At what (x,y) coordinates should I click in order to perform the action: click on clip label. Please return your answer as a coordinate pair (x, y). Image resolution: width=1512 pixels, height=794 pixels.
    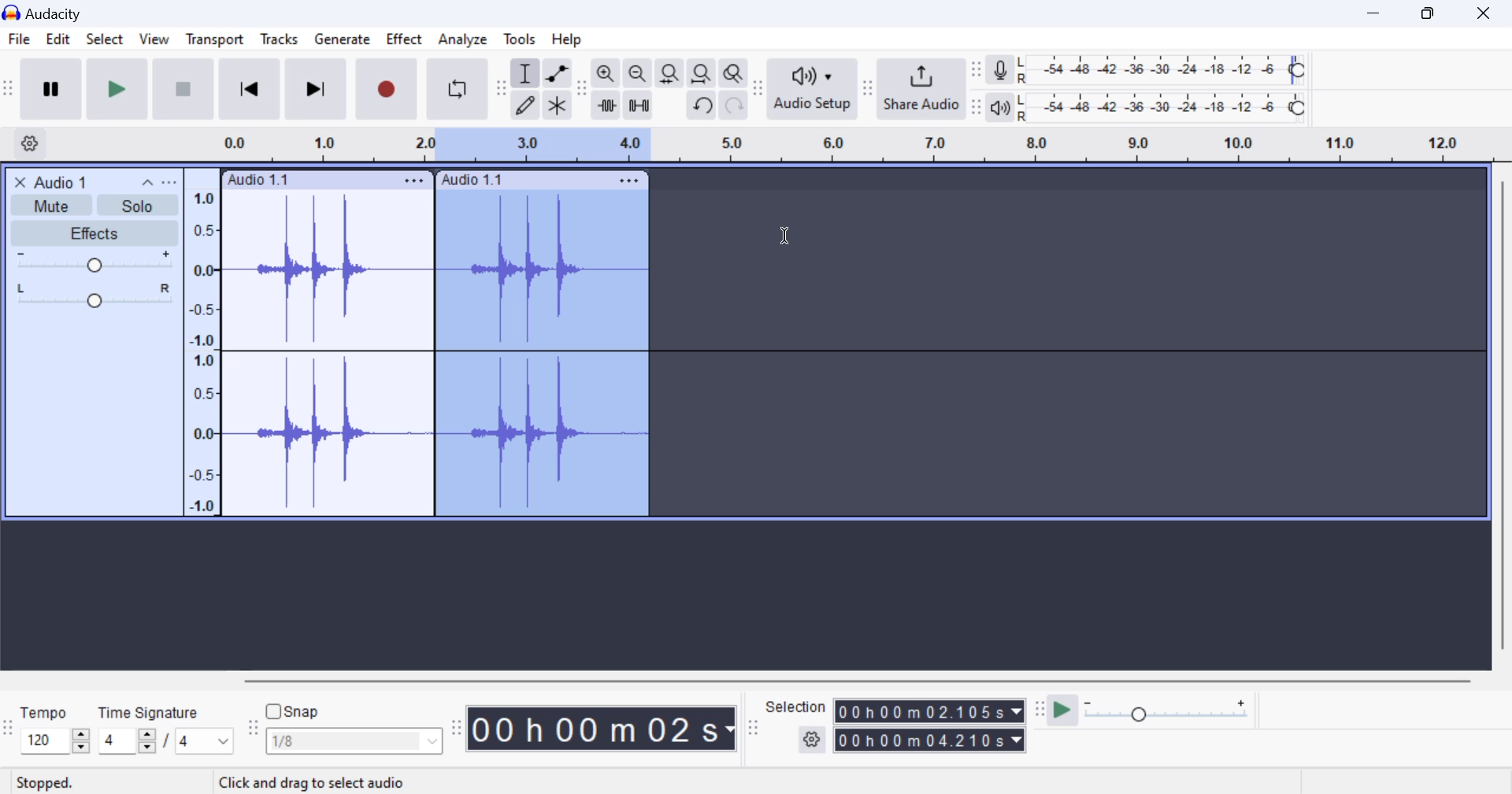
    Looking at the image, I should click on (471, 180).